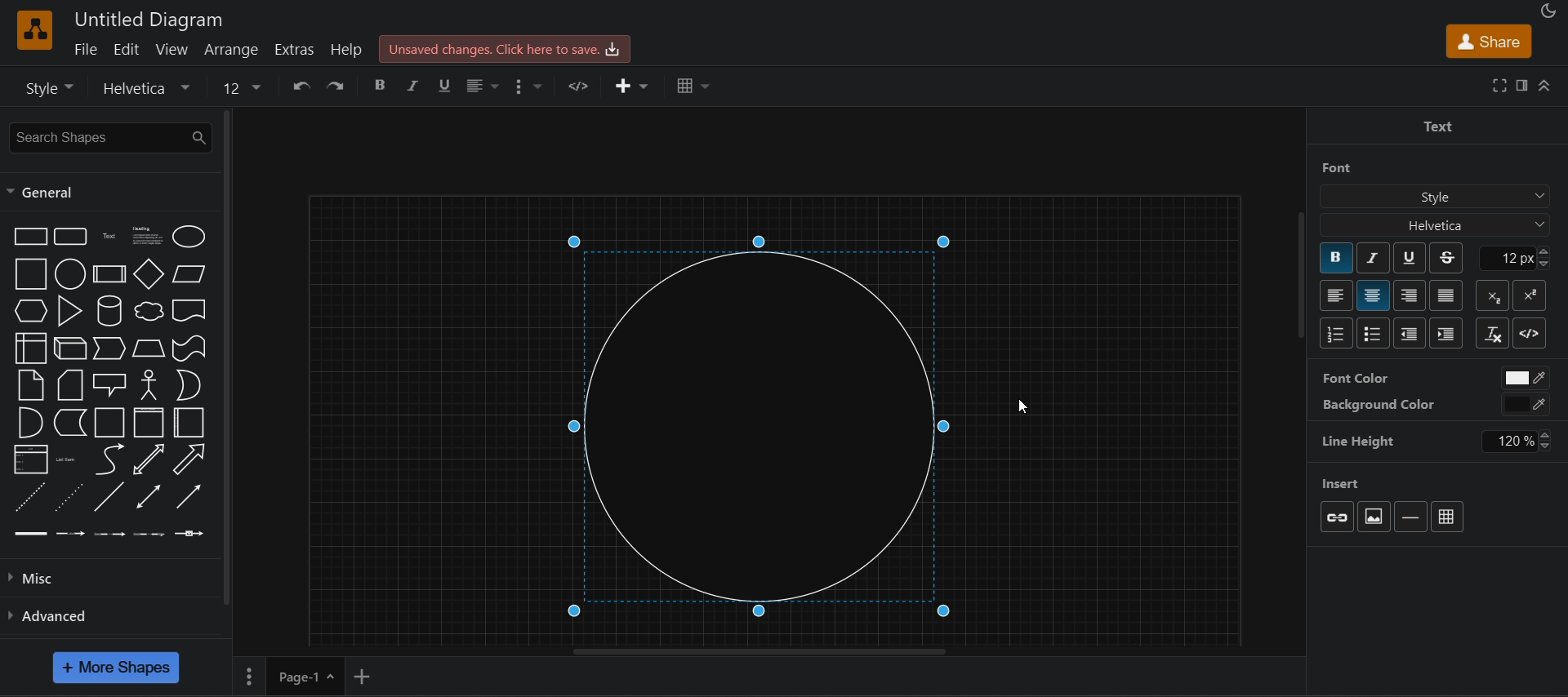  What do you see at coordinates (108, 238) in the screenshot?
I see `text` at bounding box center [108, 238].